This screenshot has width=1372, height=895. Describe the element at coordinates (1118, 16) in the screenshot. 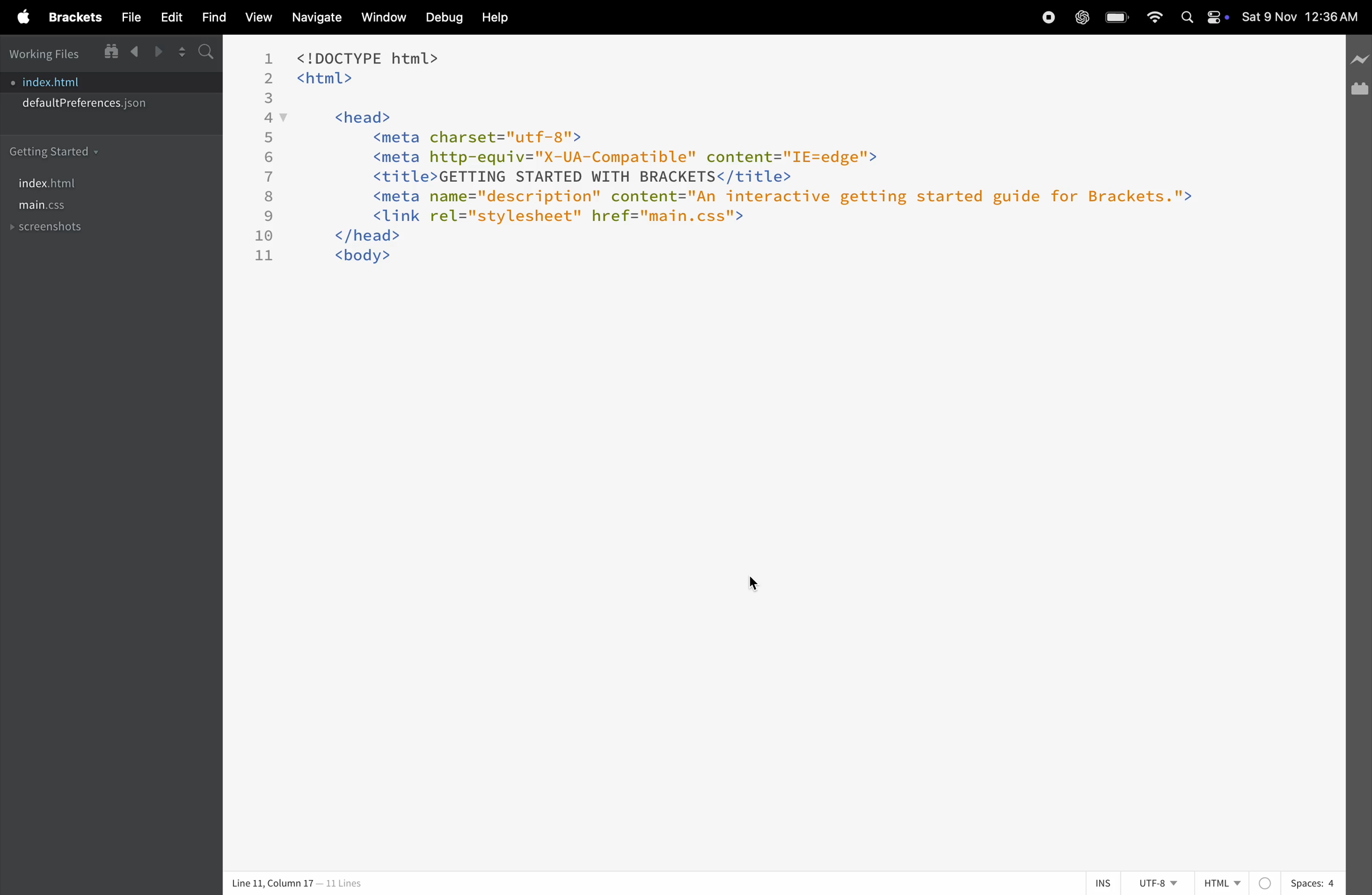

I see `battery` at that location.